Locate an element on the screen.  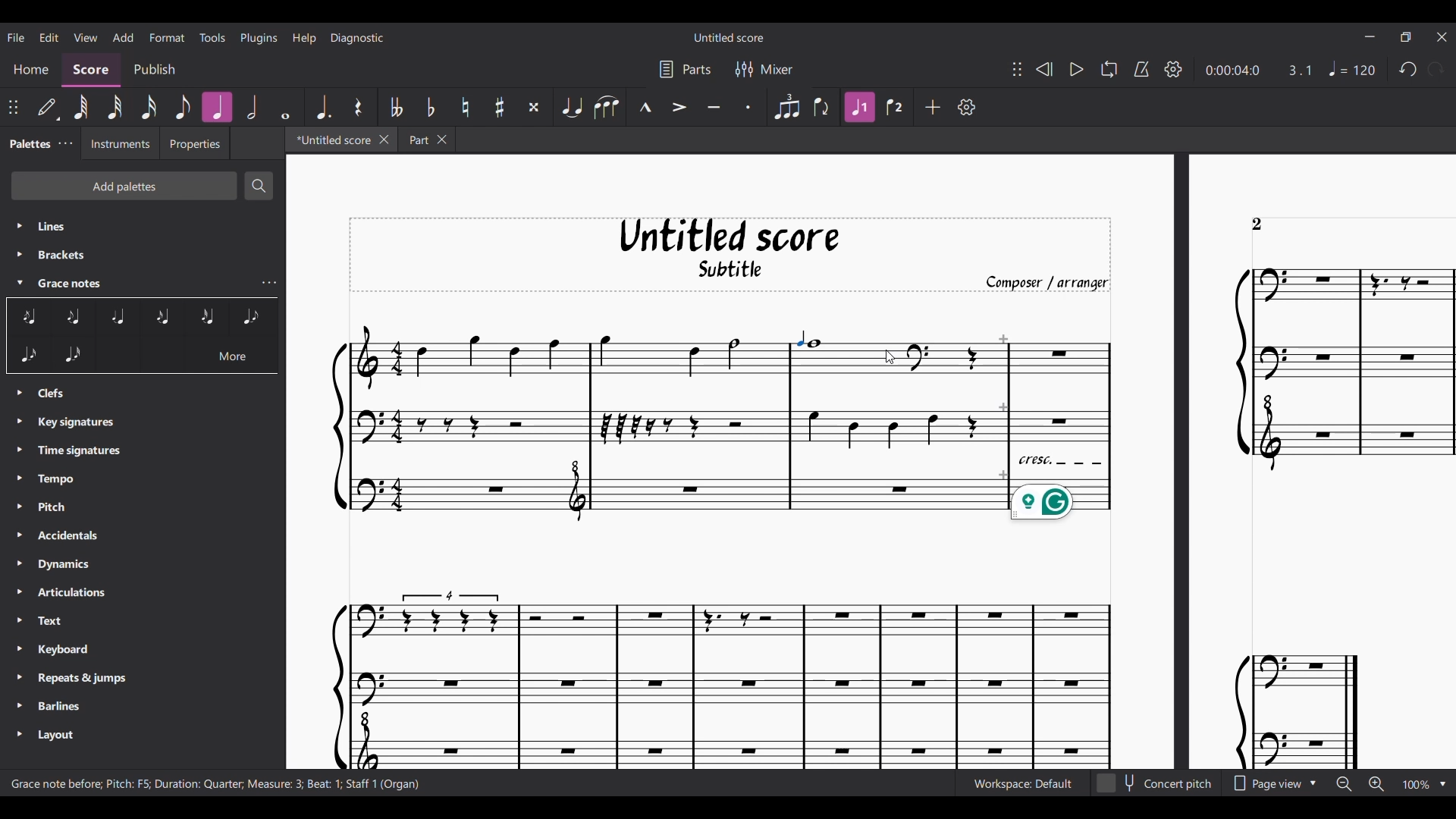
Highlighted after addition of grace note is located at coordinates (860, 107).